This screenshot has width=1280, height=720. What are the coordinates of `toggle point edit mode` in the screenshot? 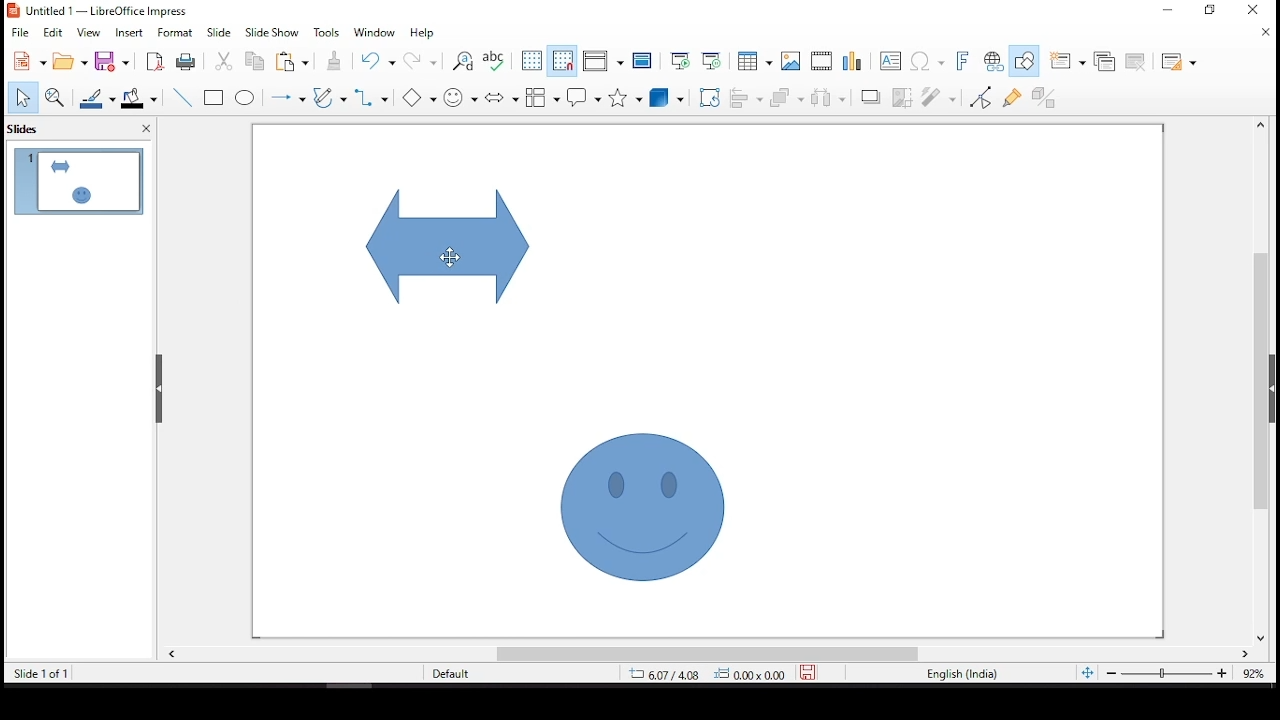 It's located at (980, 99).